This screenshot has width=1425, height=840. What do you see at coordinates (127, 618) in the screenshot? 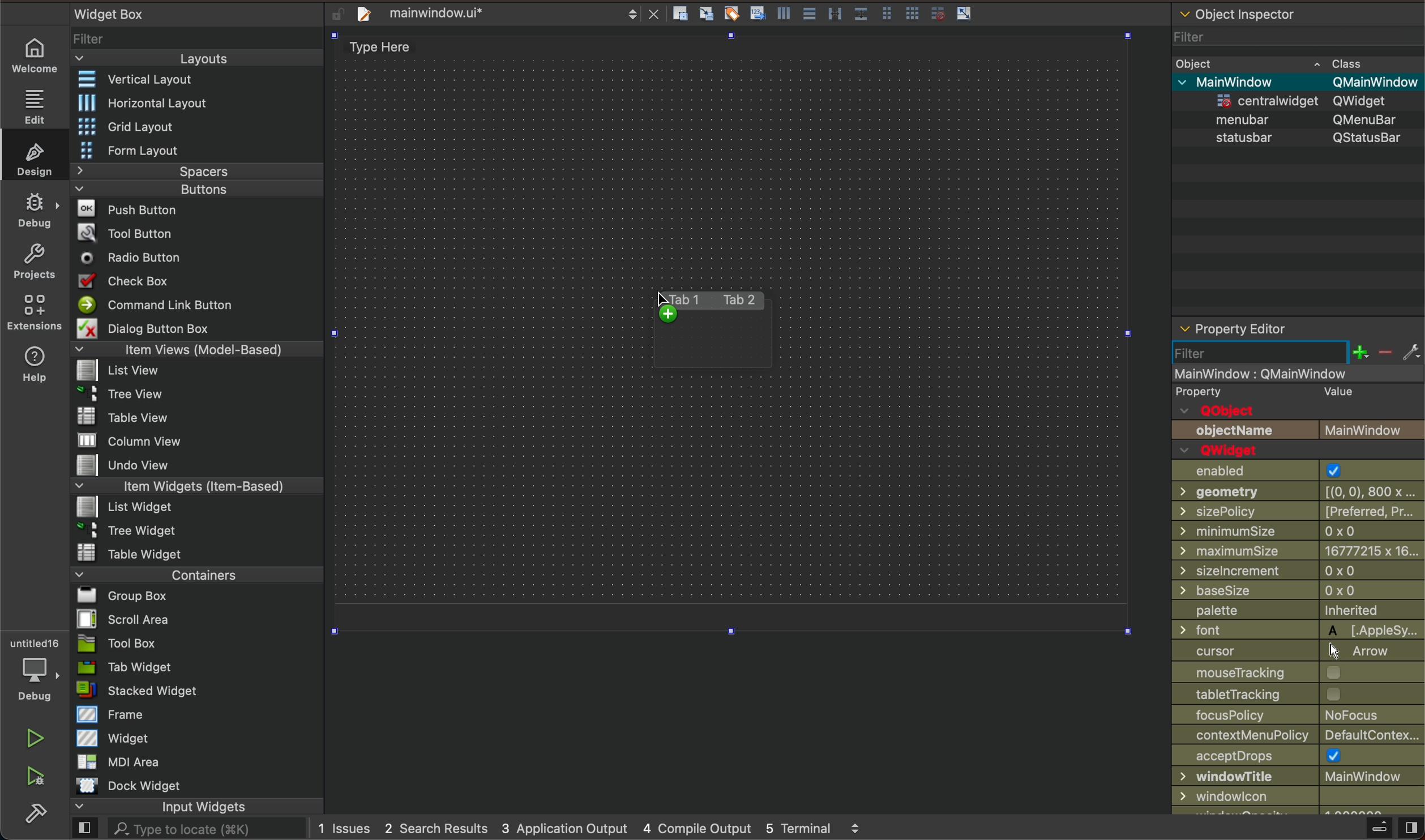
I see `Scroll Area` at bounding box center [127, 618].